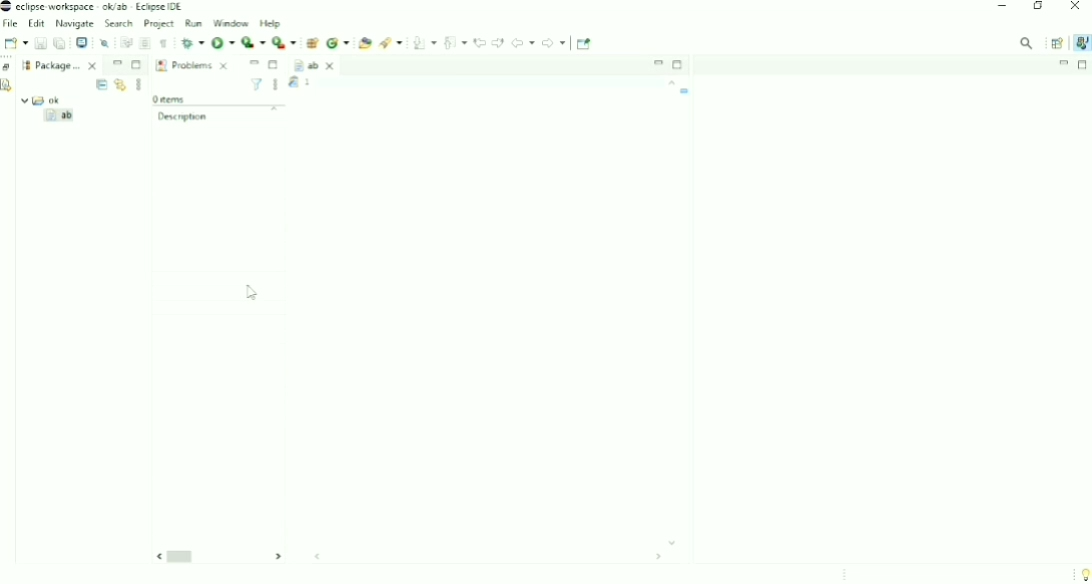 The image size is (1092, 584). Describe the element at coordinates (49, 98) in the screenshot. I see `ok` at that location.